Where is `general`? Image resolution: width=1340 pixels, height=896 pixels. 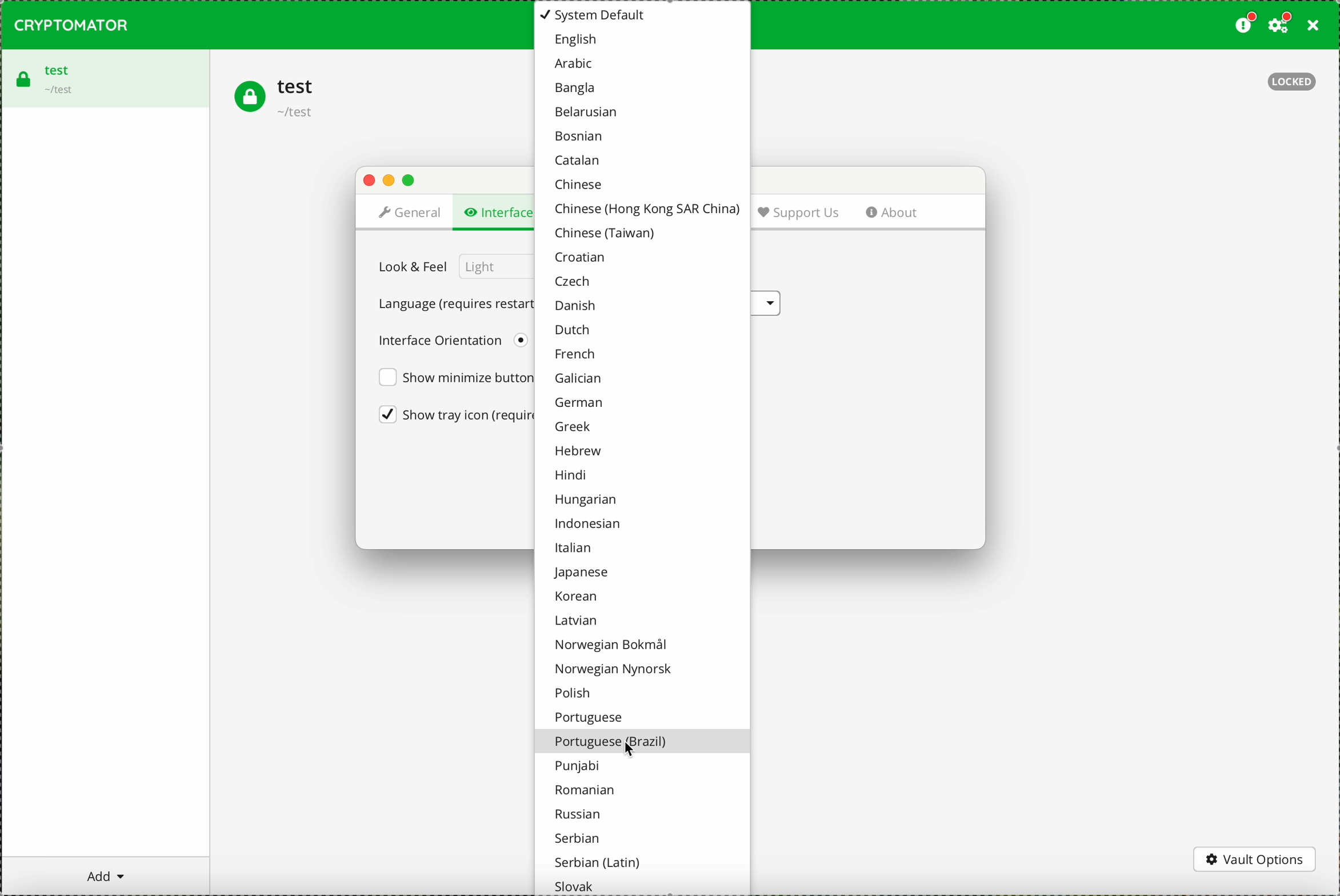
general is located at coordinates (412, 213).